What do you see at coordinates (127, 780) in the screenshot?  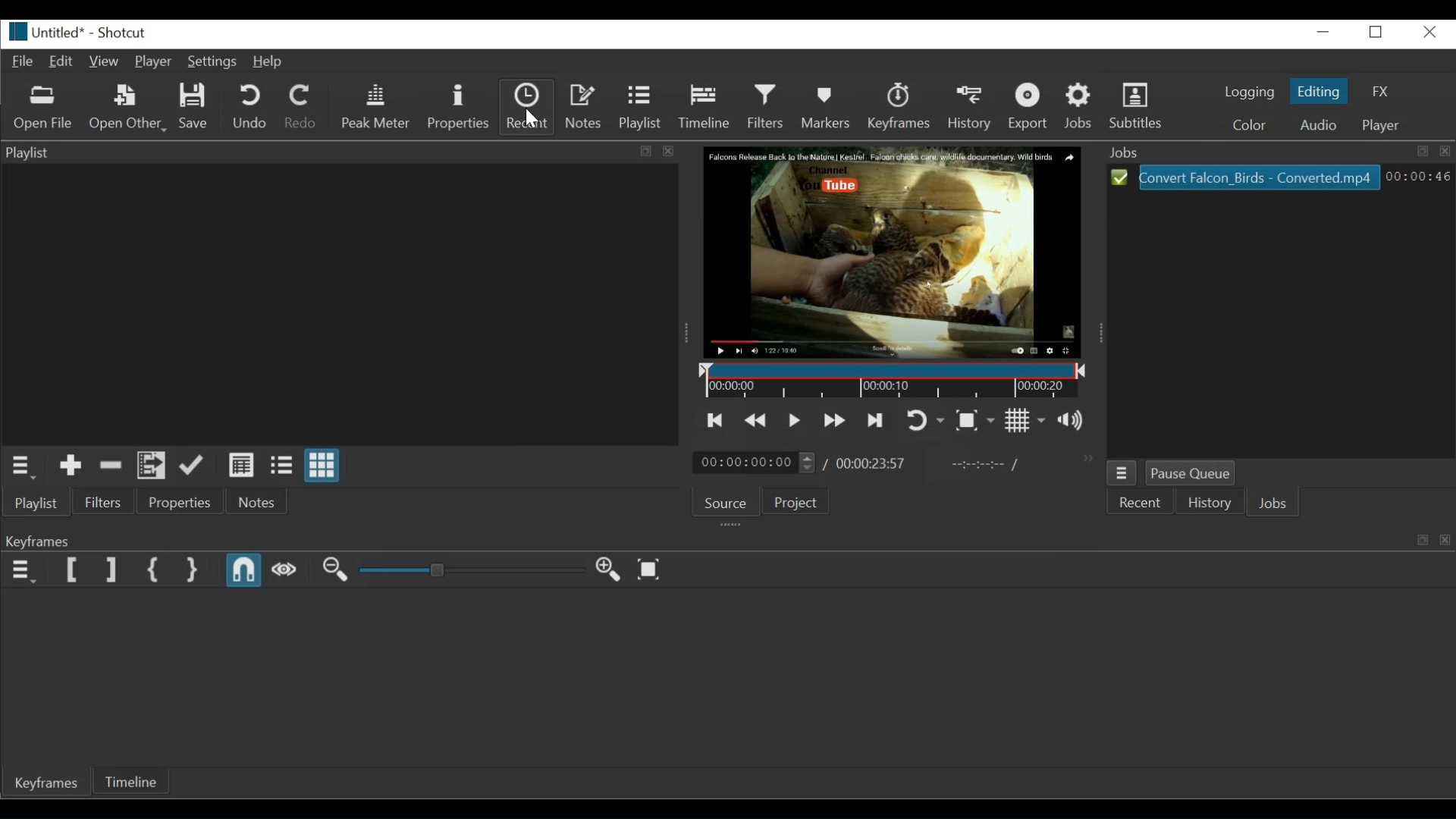 I see `Timeline` at bounding box center [127, 780].